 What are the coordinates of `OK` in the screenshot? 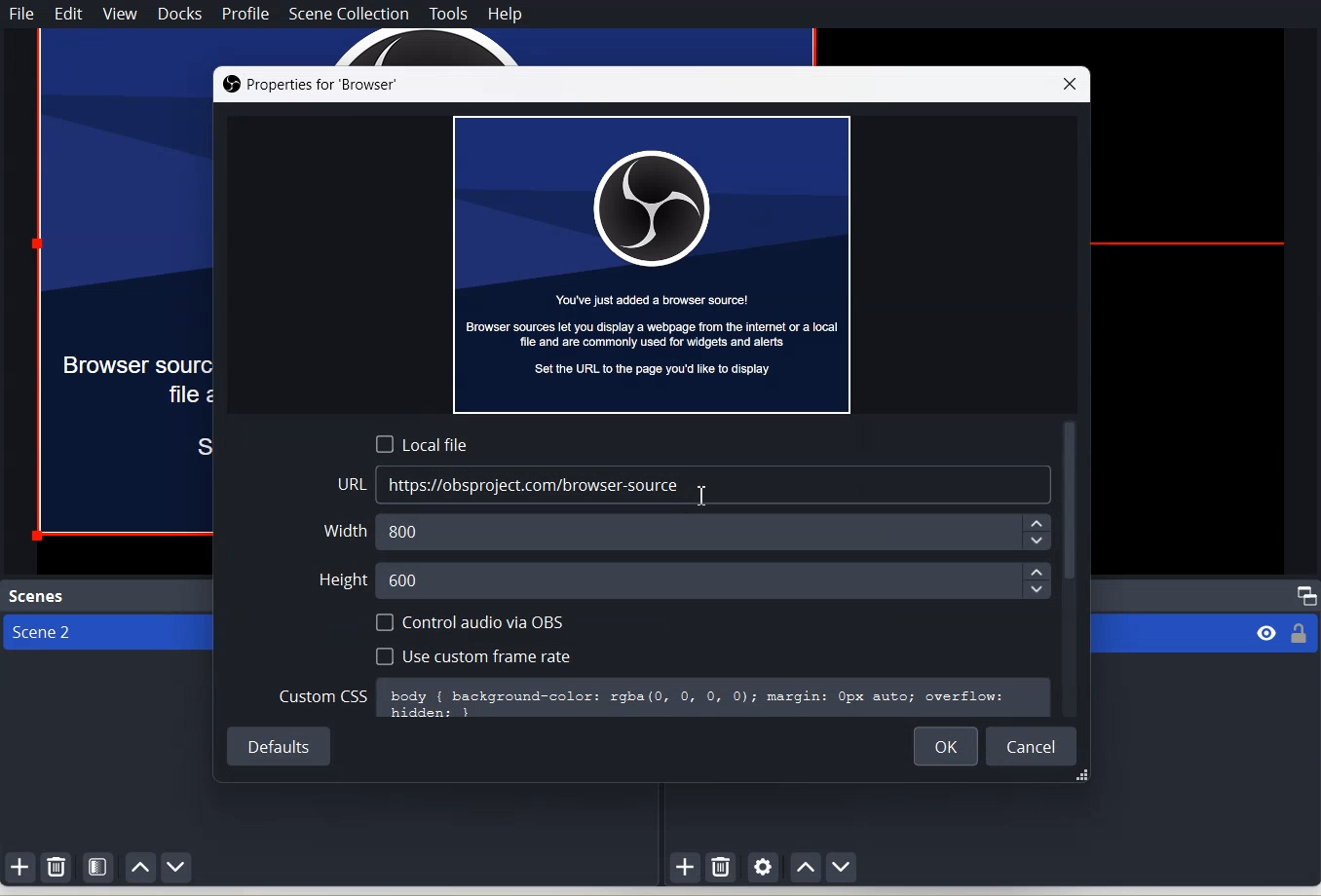 It's located at (940, 745).